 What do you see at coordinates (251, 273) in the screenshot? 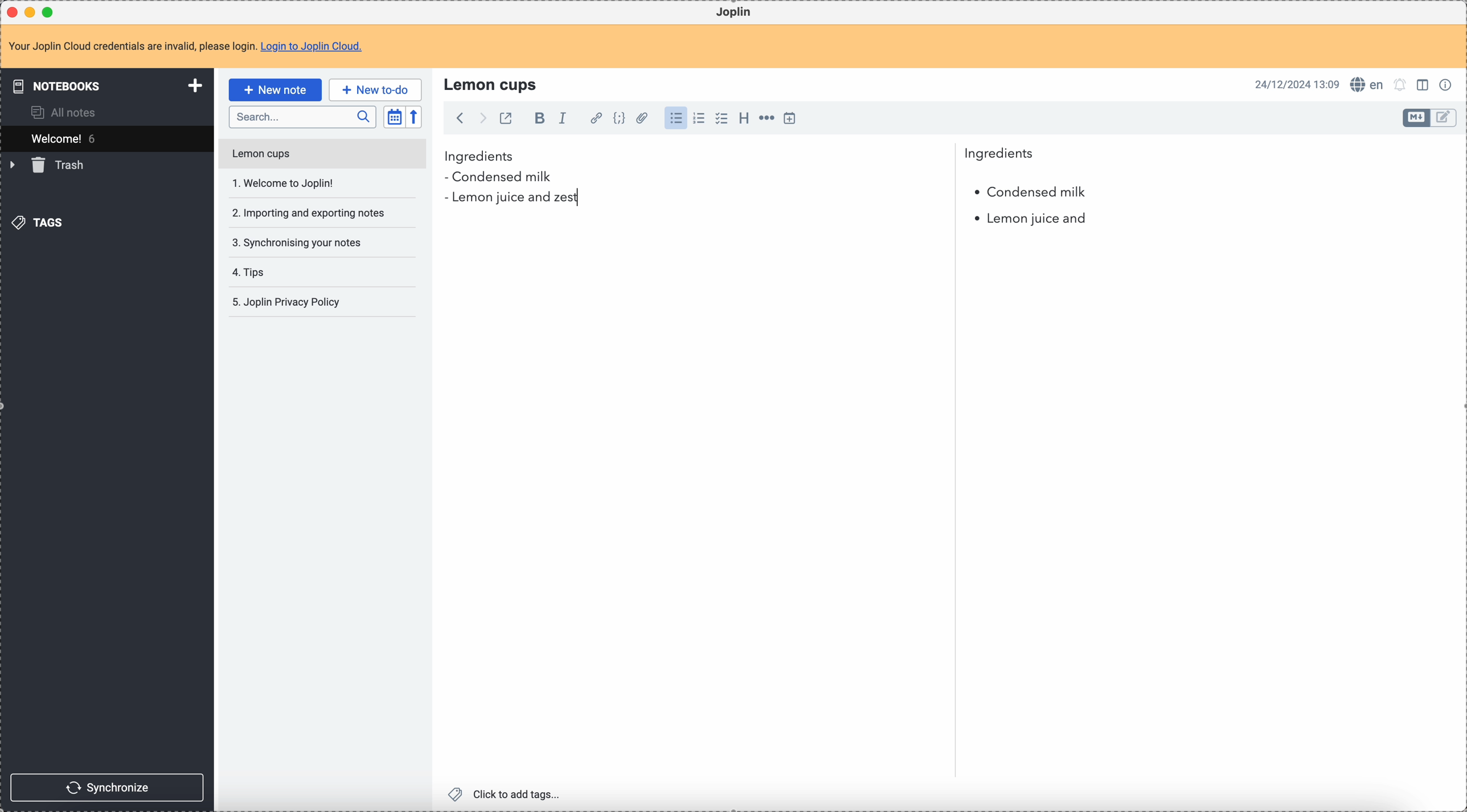
I see `tips` at bounding box center [251, 273].